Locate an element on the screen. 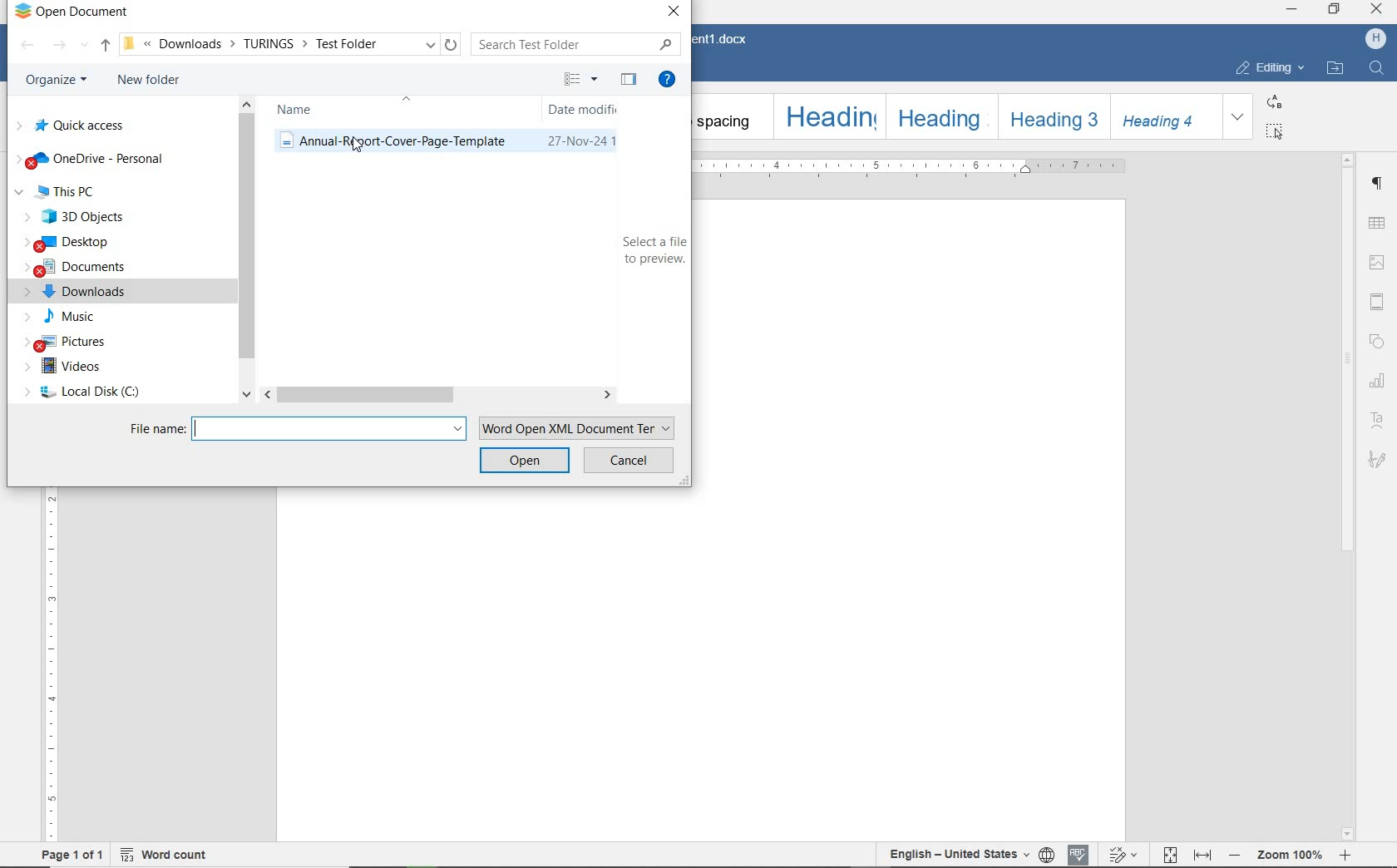  scrollbar is located at coordinates (1345, 496).